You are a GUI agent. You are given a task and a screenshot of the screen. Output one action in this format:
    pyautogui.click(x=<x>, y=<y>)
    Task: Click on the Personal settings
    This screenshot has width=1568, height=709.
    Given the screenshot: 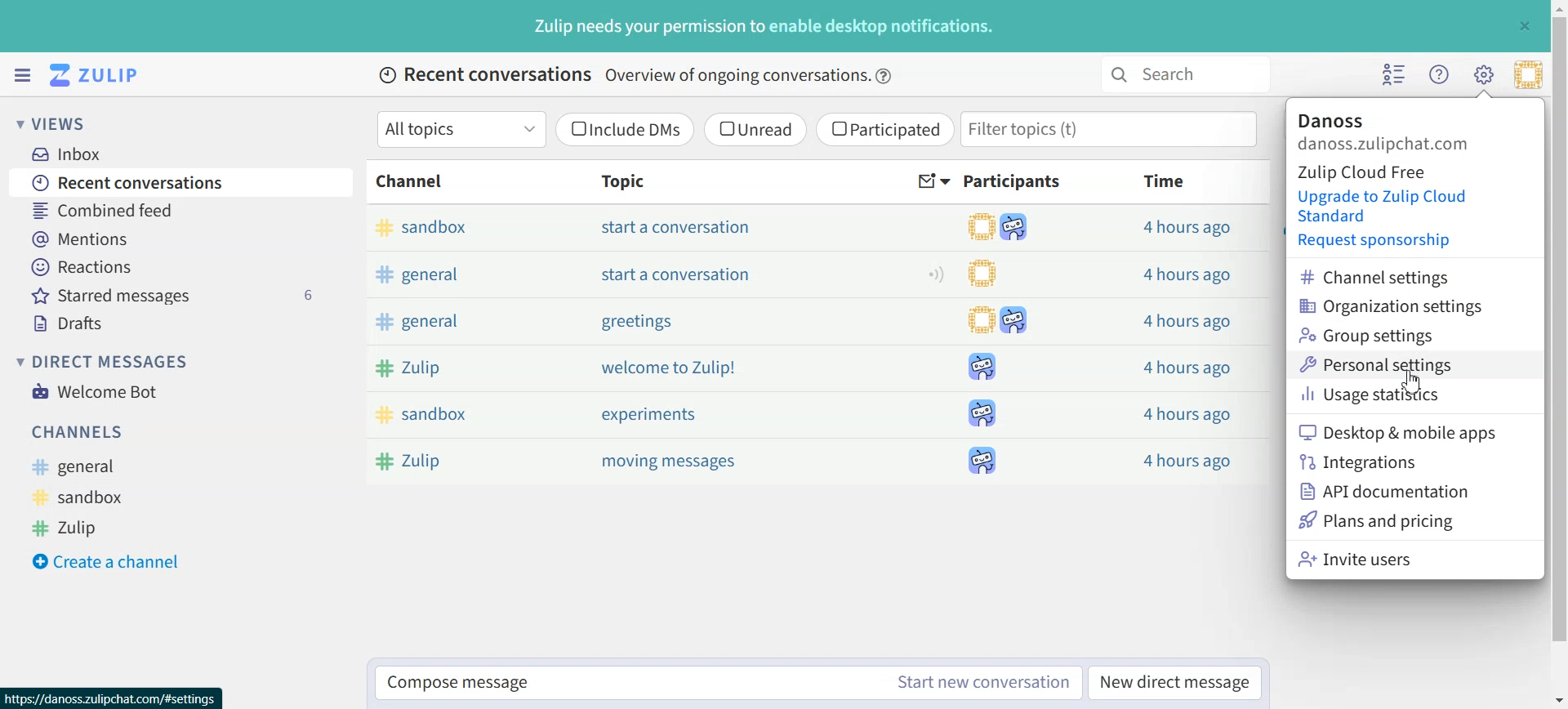 What is the action you would take?
    pyautogui.click(x=1395, y=363)
    